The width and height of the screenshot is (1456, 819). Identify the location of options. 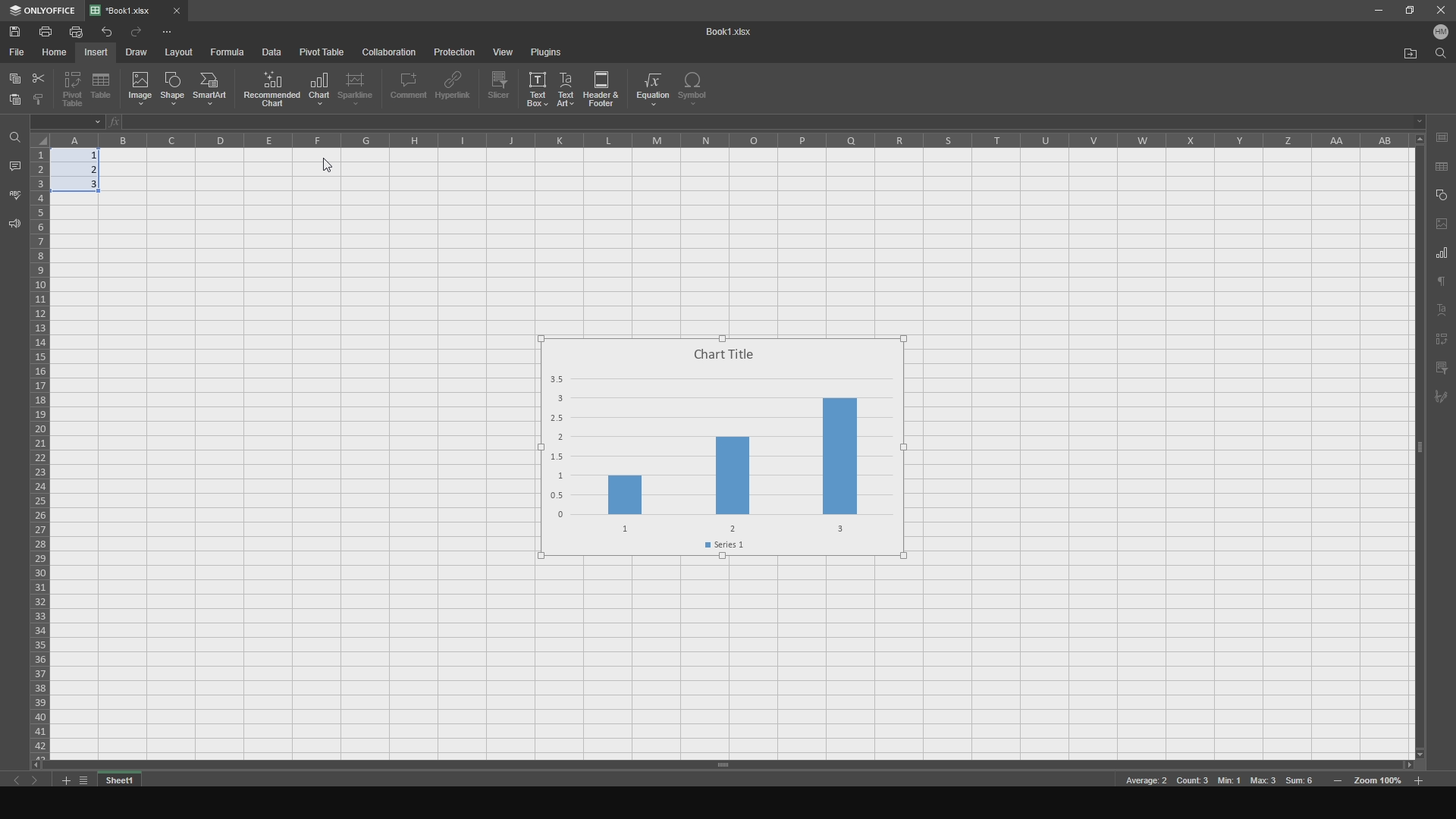
(177, 31).